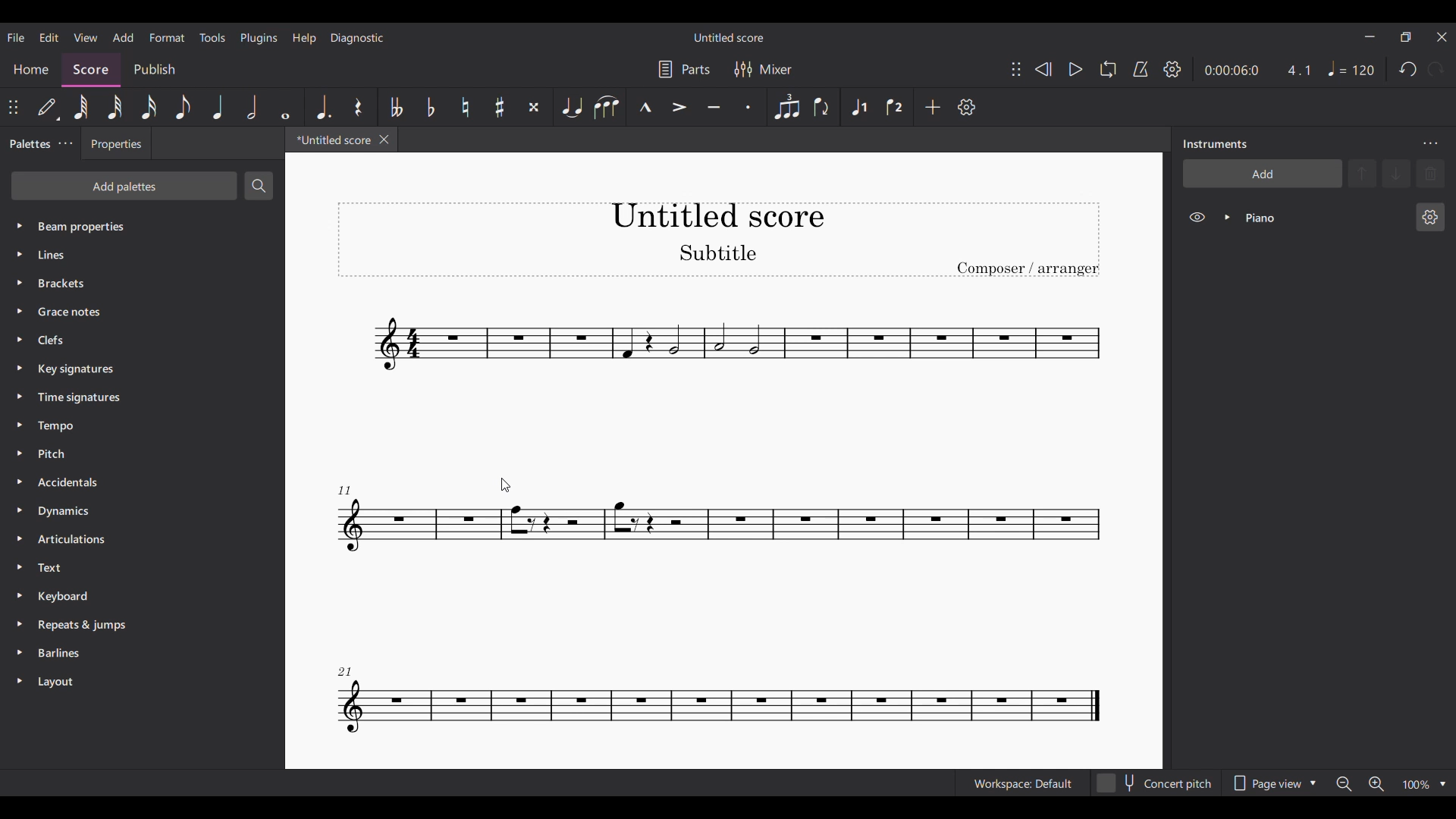 This screenshot has height=819, width=1456. What do you see at coordinates (1227, 217) in the screenshot?
I see `Expand` at bounding box center [1227, 217].